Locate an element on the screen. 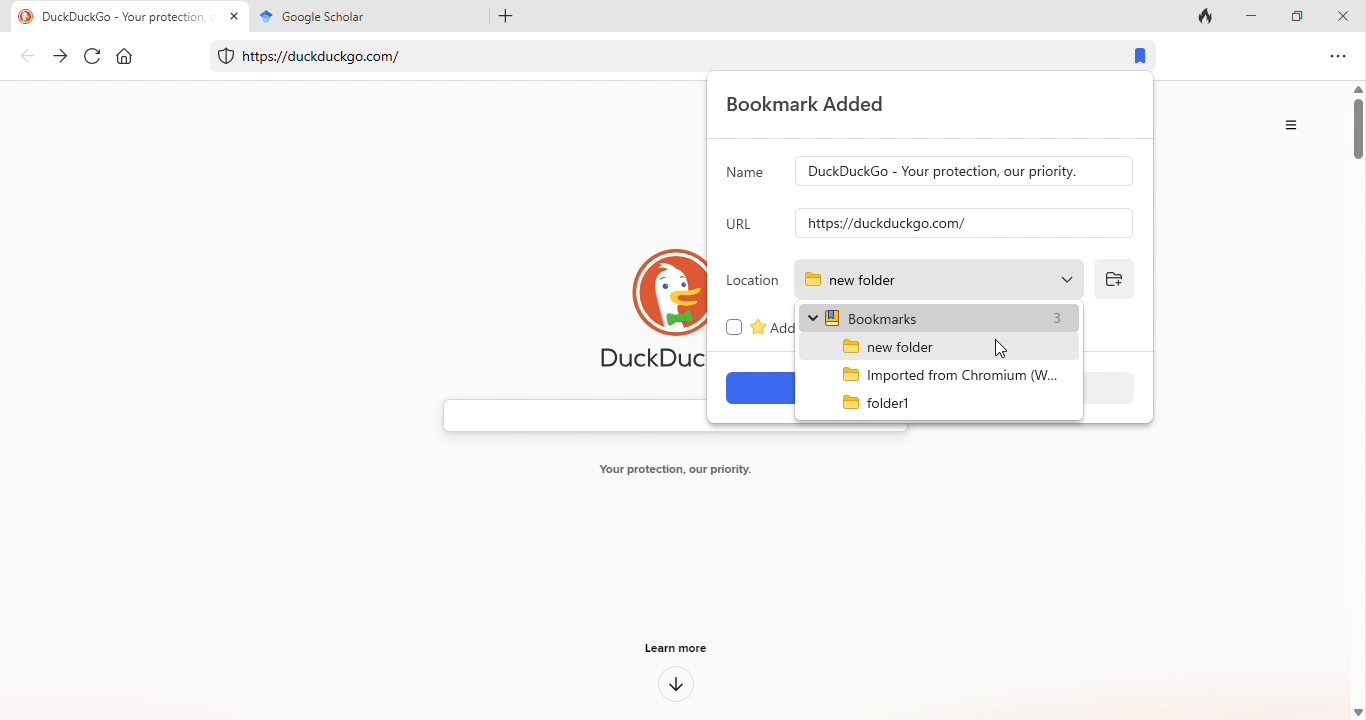 The width and height of the screenshot is (1366, 720). new folder is located at coordinates (919, 346).